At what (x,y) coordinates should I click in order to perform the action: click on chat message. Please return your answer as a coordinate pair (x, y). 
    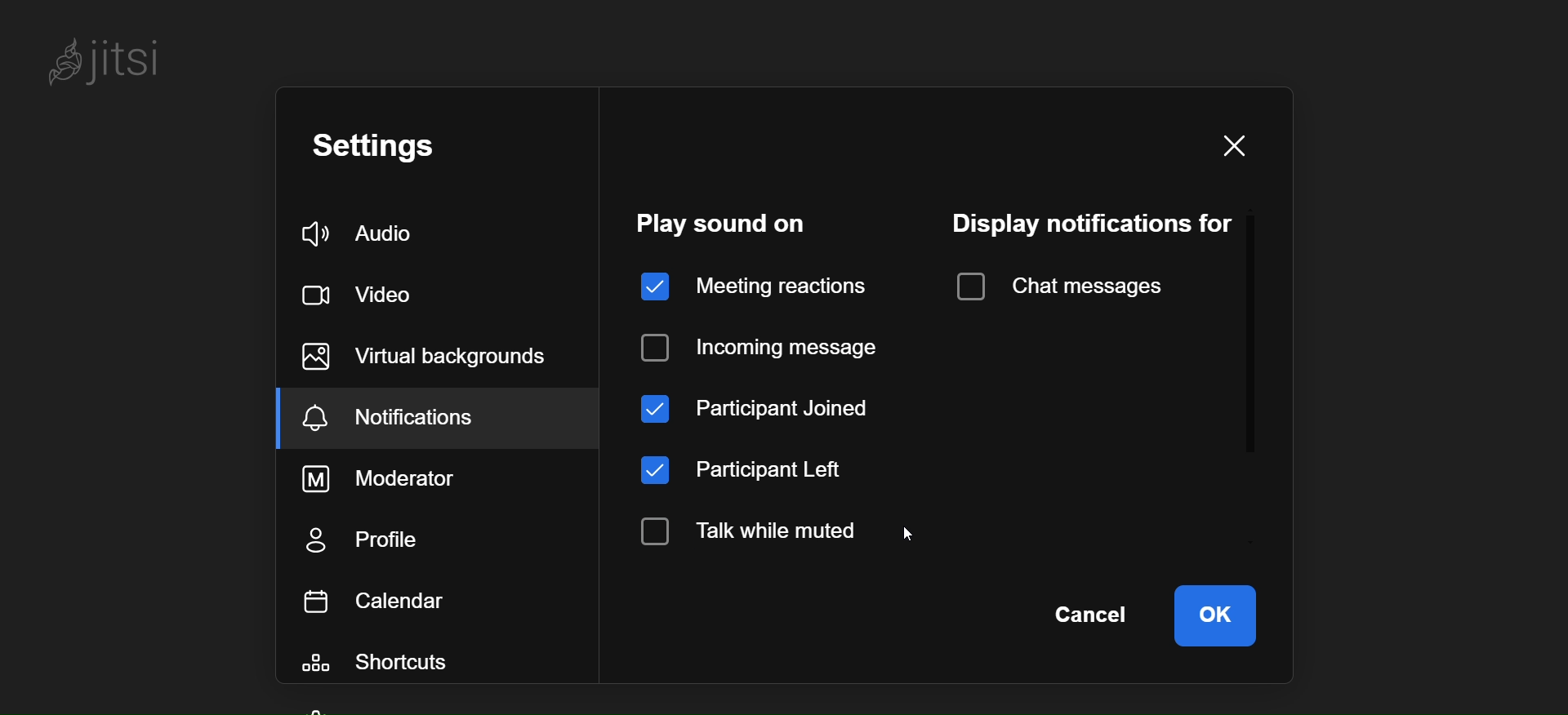
    Looking at the image, I should click on (1057, 287).